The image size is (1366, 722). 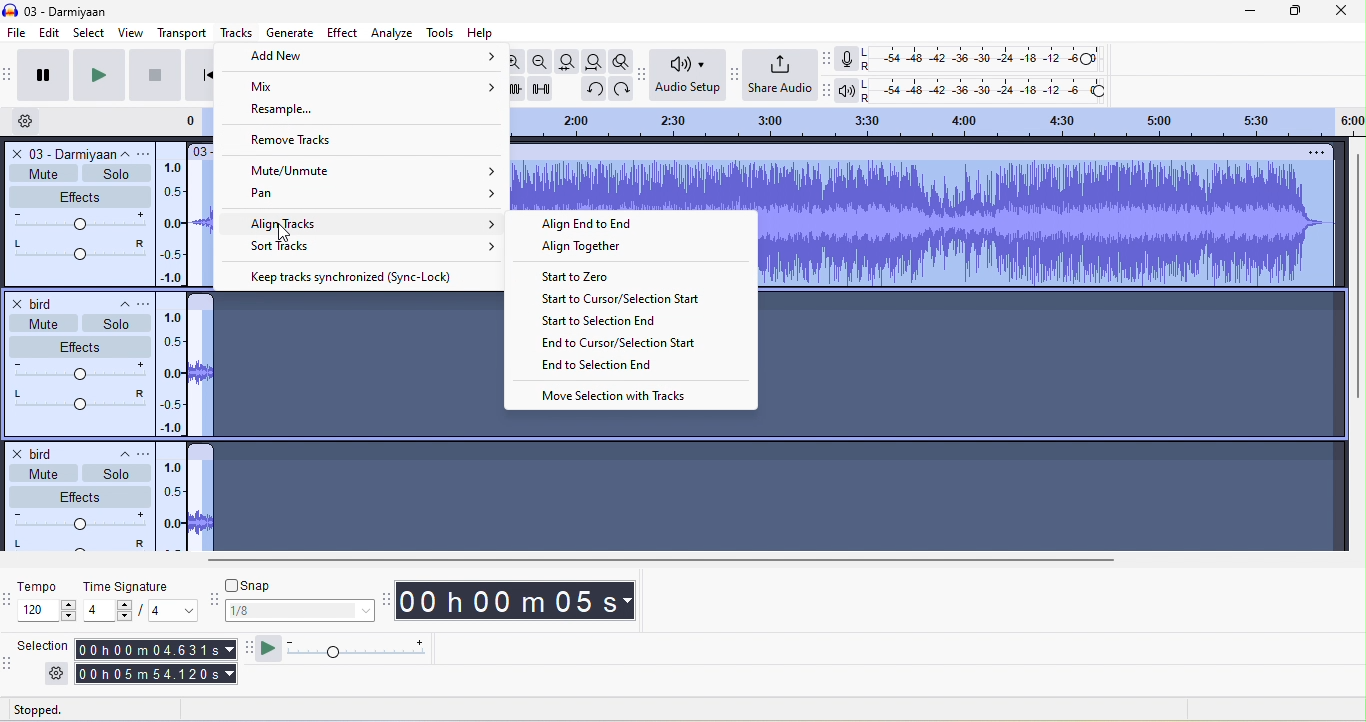 I want to click on Selected trackt, so click(x=472, y=480).